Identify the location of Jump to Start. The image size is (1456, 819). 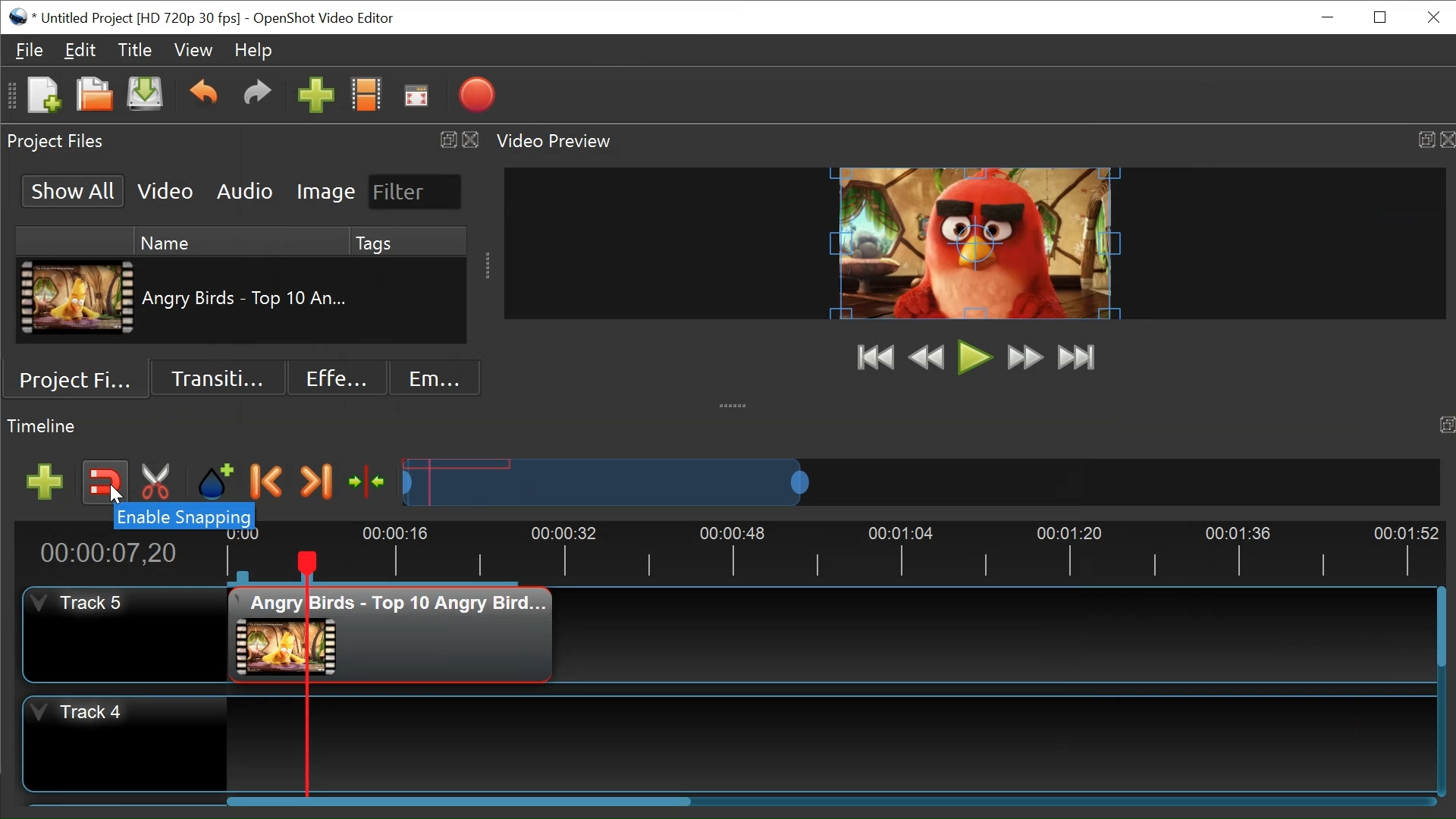
(871, 356).